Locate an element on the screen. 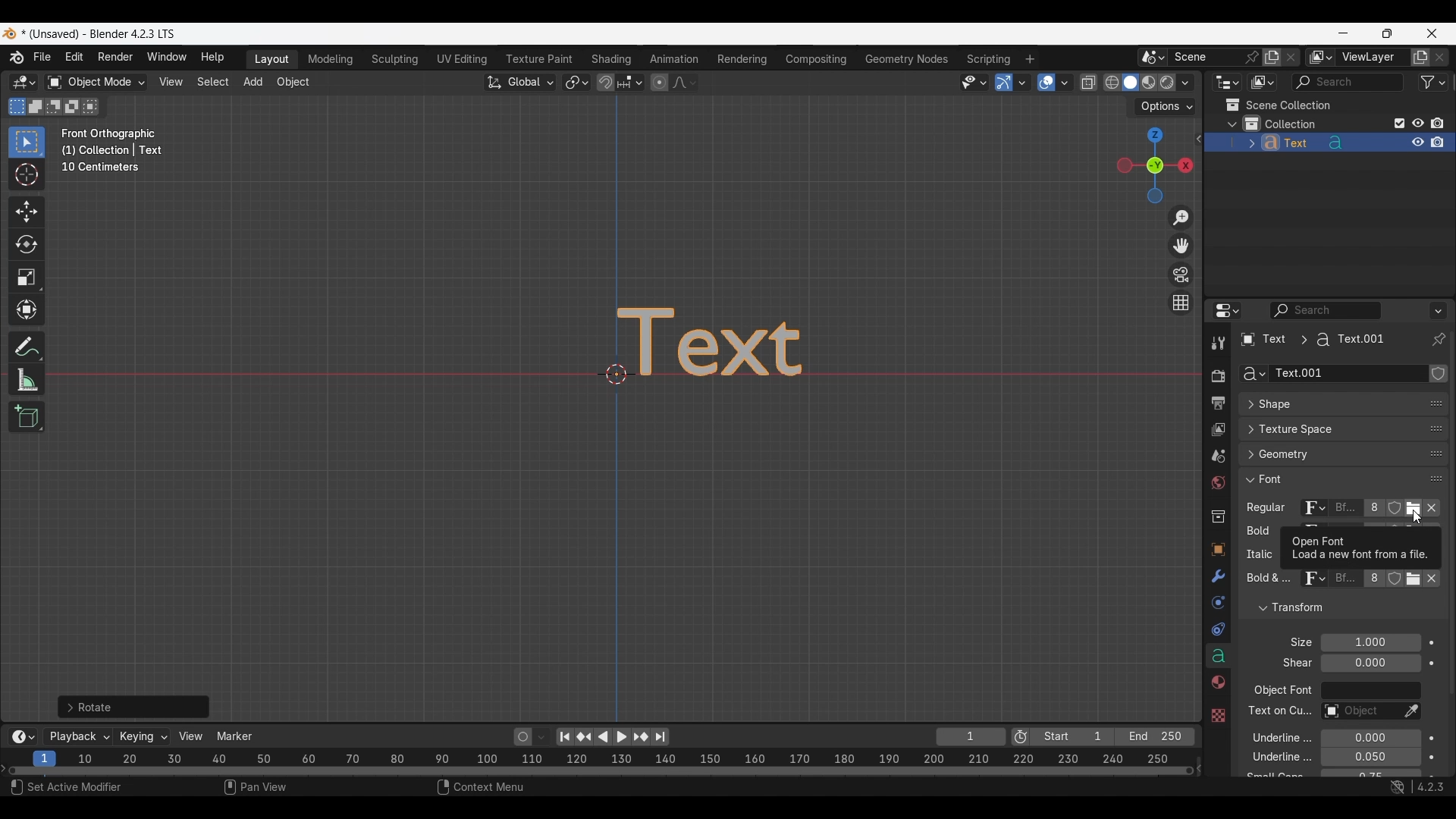  Minimize is located at coordinates (1344, 33).